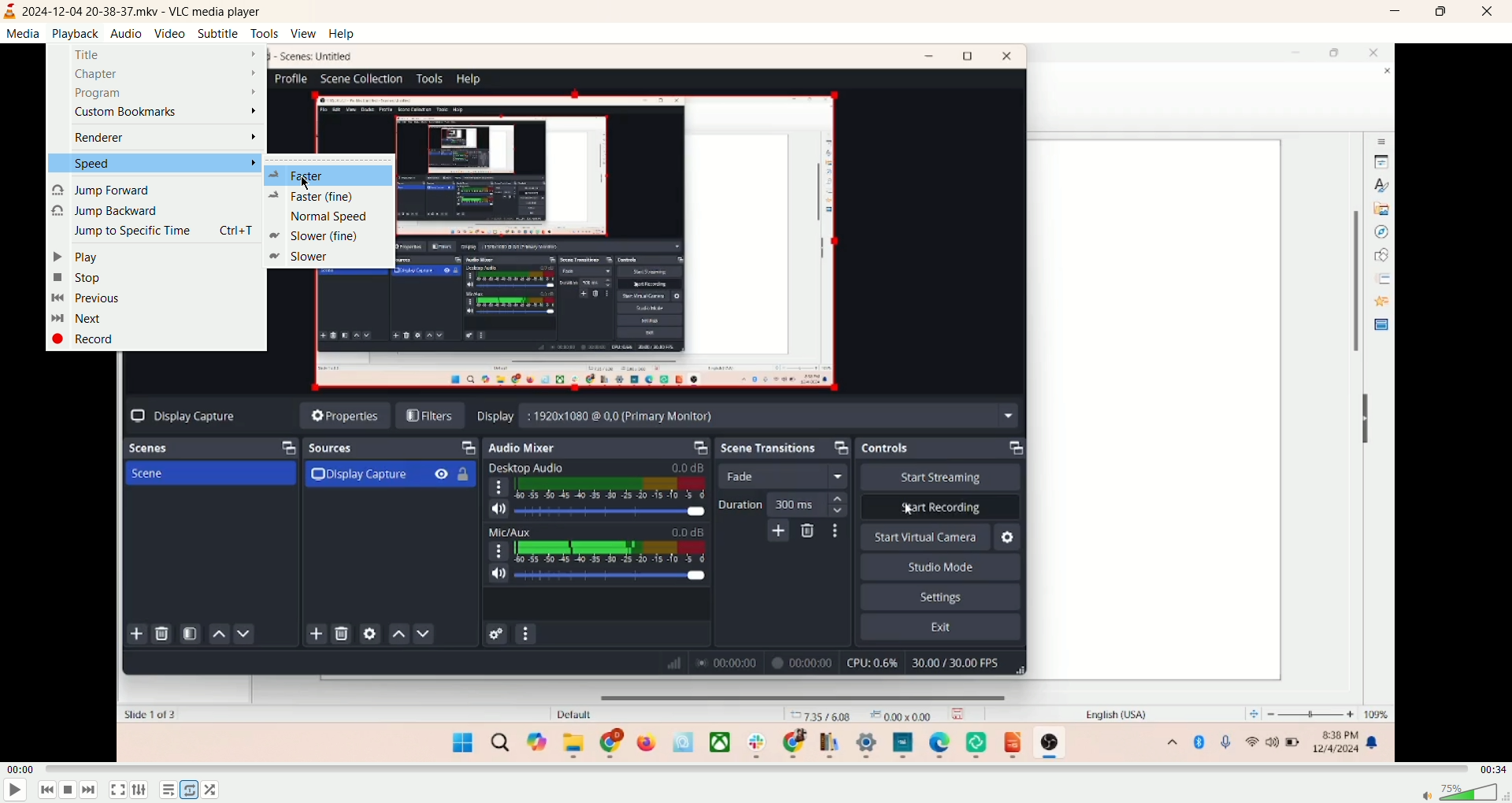 The width and height of the screenshot is (1512, 803). What do you see at coordinates (165, 792) in the screenshot?
I see `playlist` at bounding box center [165, 792].